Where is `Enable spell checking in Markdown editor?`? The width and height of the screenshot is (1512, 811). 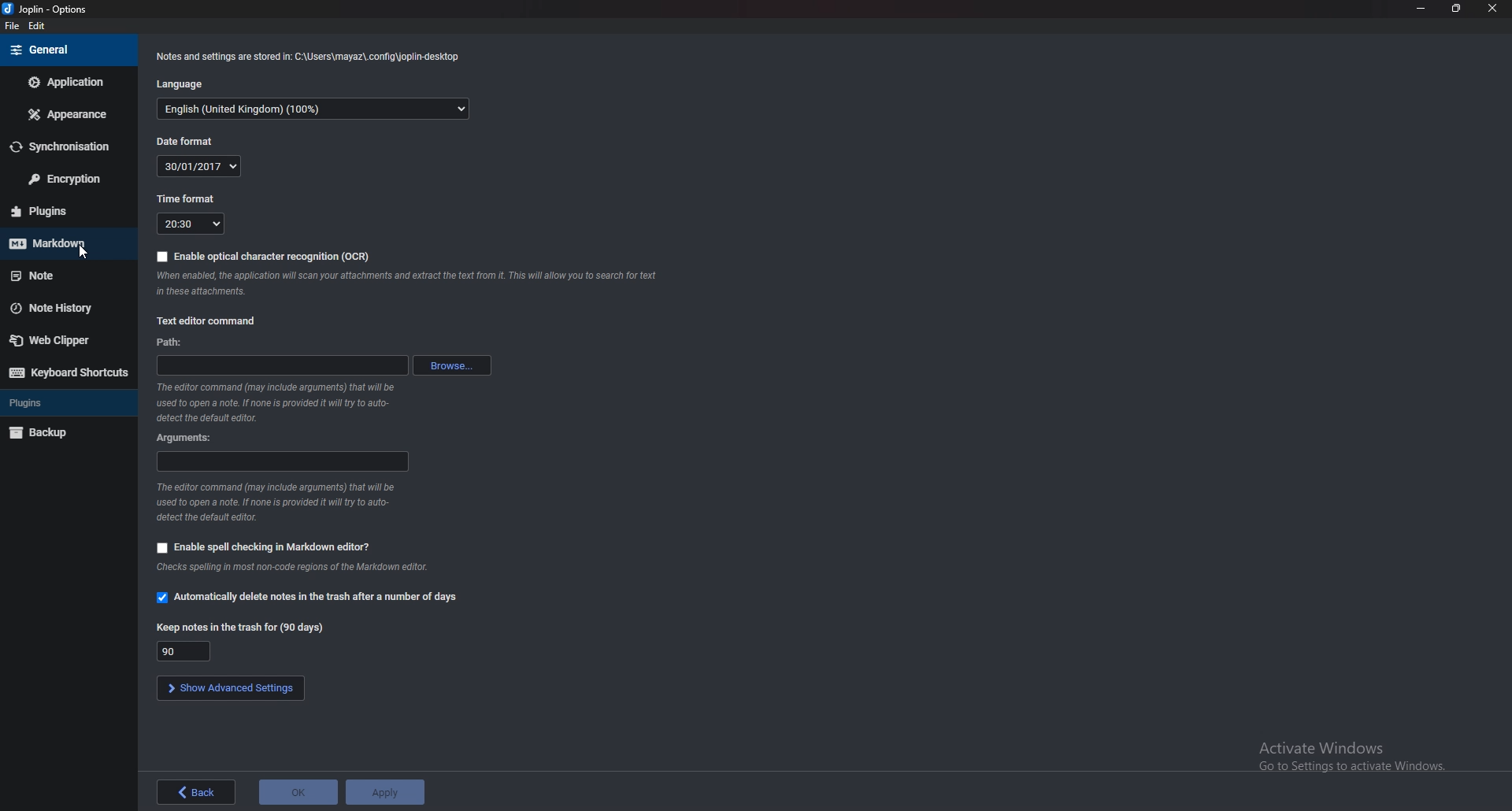 Enable spell checking in Markdown editor? is located at coordinates (266, 546).